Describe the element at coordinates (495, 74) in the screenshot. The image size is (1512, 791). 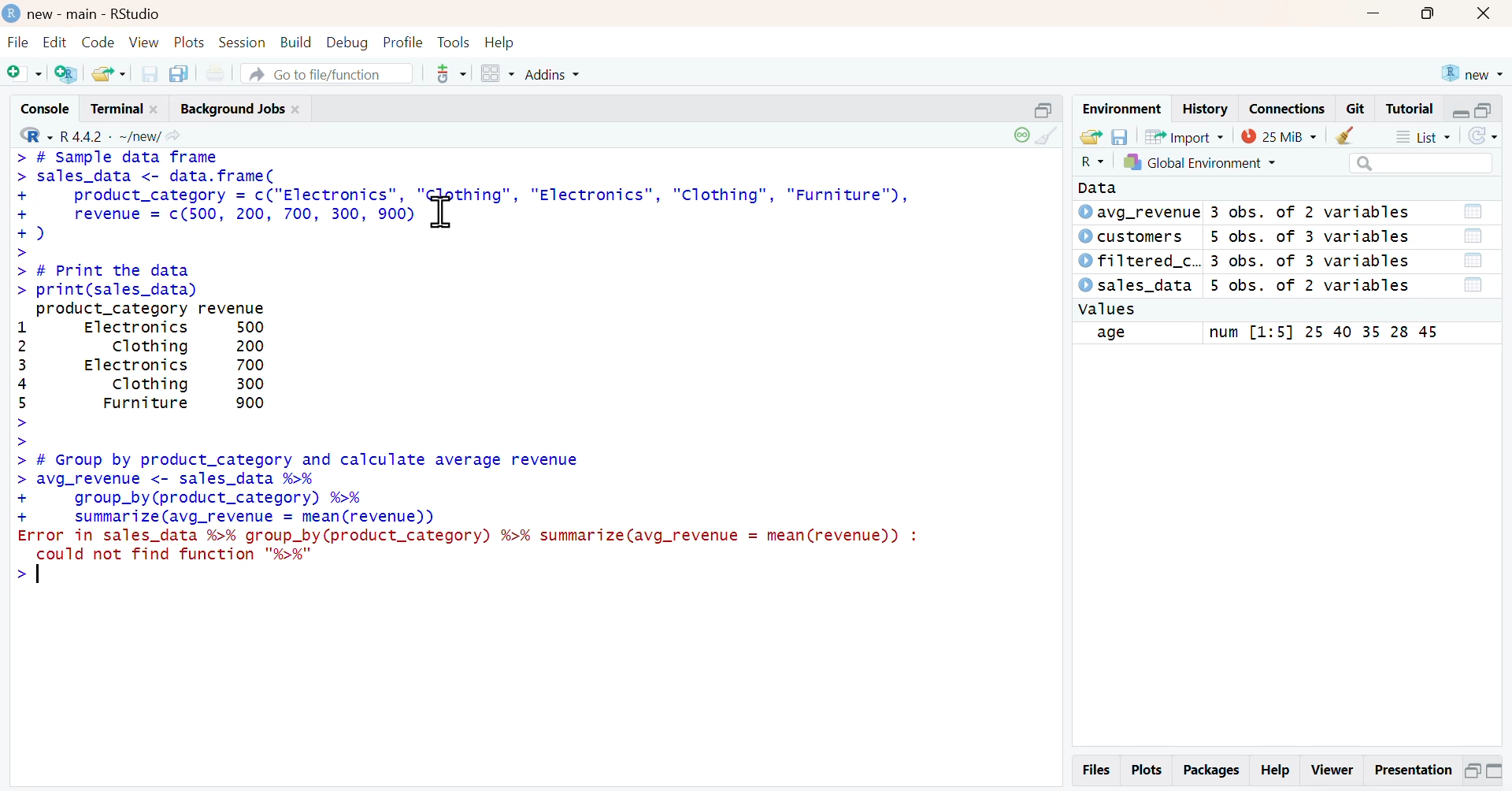
I see `Workspace panes` at that location.